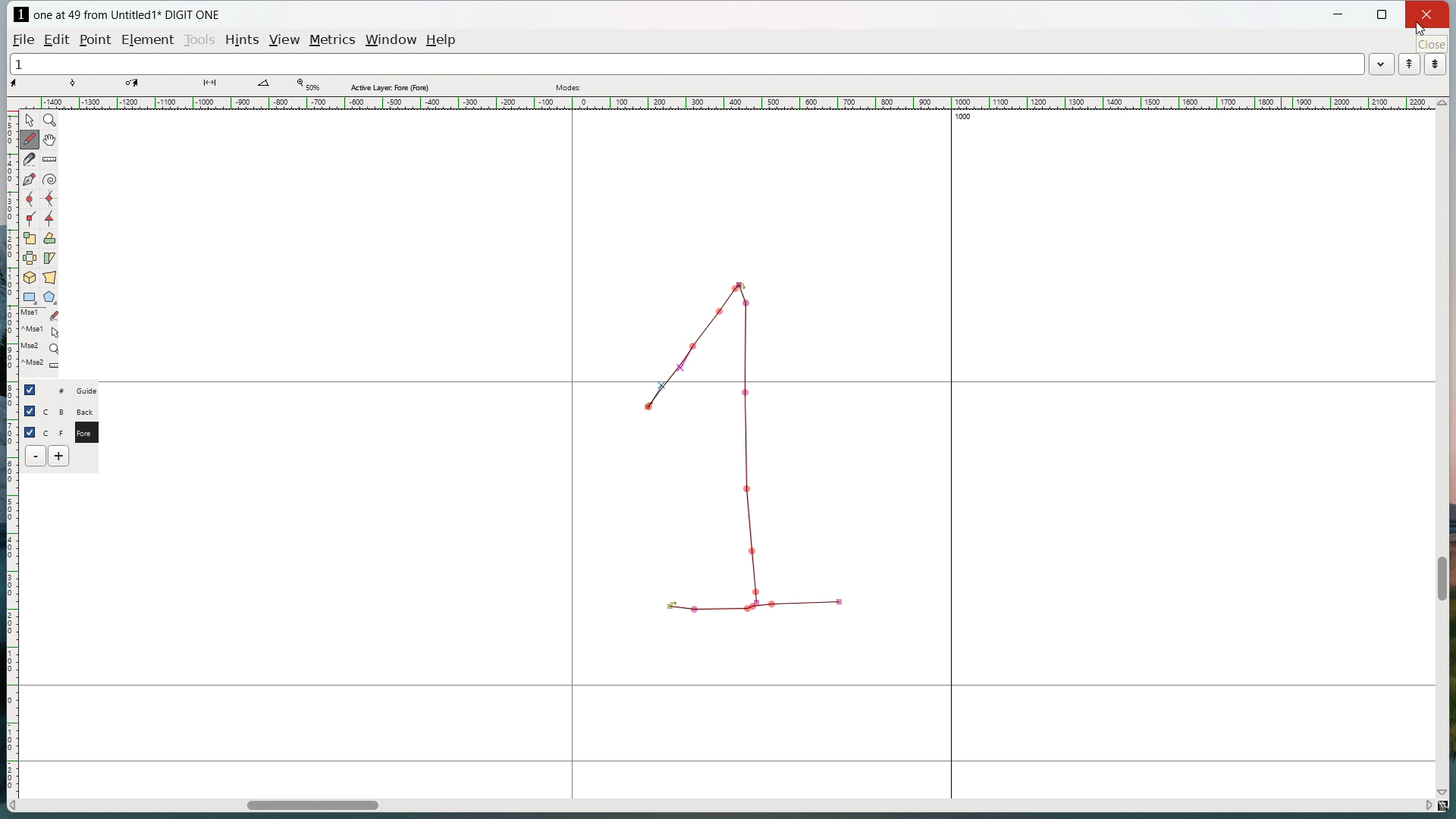 This screenshot has height=819, width=1456. What do you see at coordinates (30, 297) in the screenshot?
I see `rectangle/ellipse` at bounding box center [30, 297].